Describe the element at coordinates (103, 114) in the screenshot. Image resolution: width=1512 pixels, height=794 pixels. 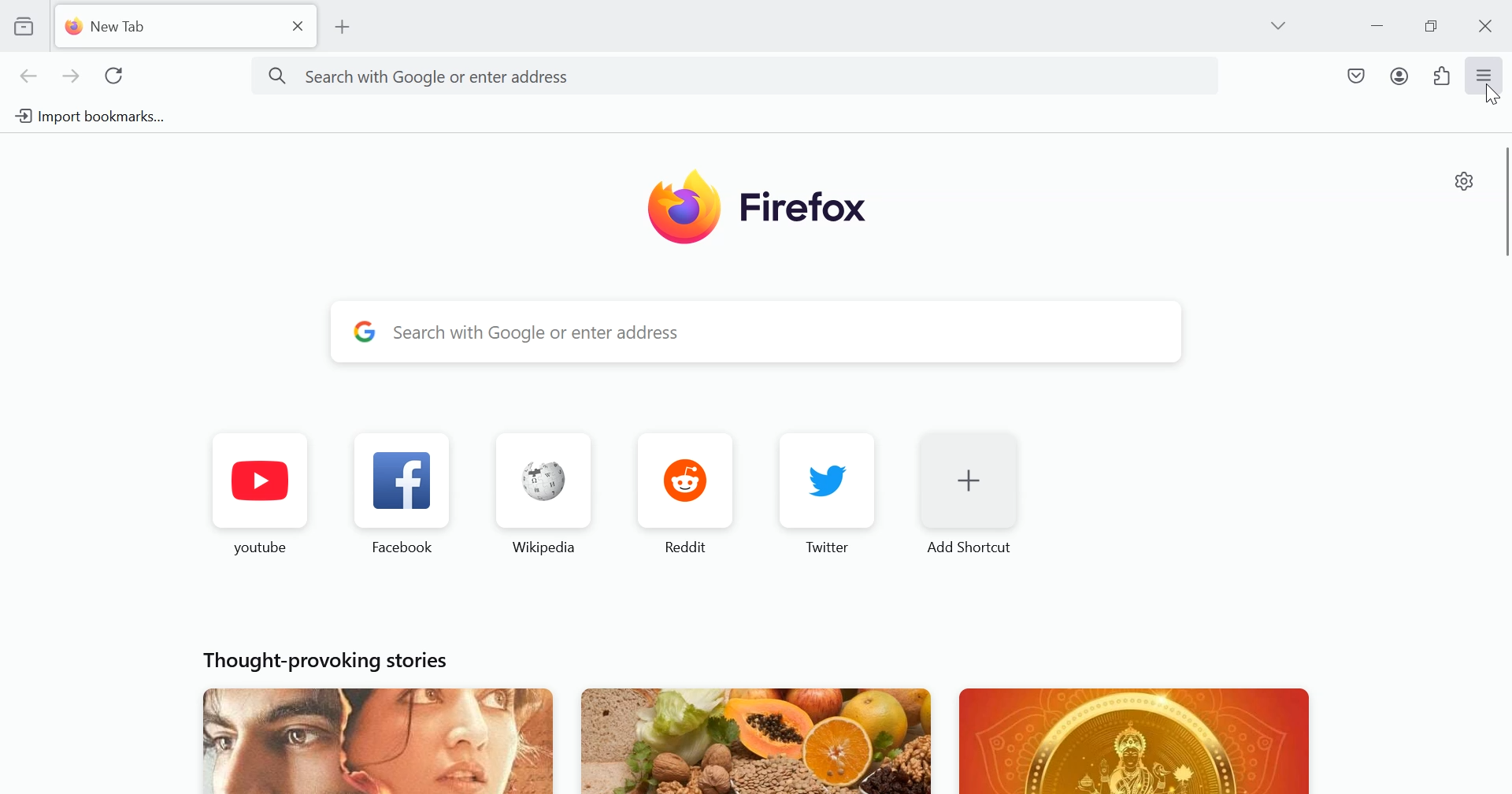
I see `Import bookmark from another browser to Firefox` at that location.